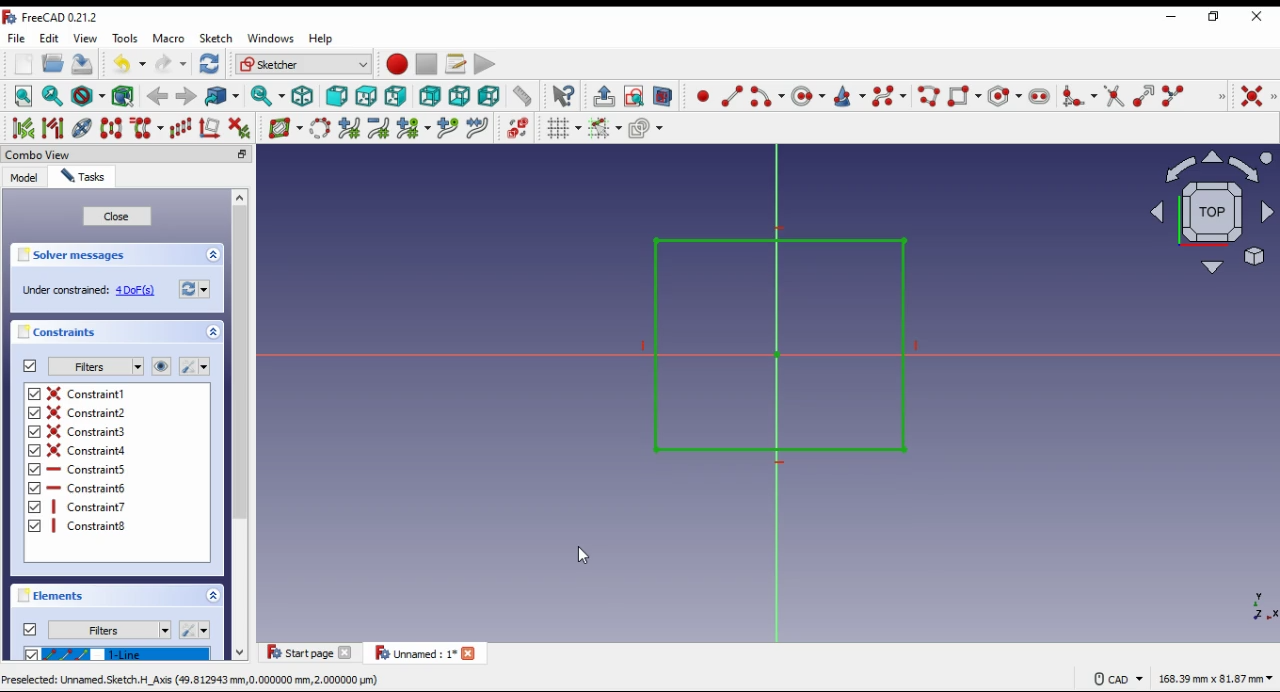 This screenshot has height=692, width=1280. I want to click on forward, so click(186, 97).